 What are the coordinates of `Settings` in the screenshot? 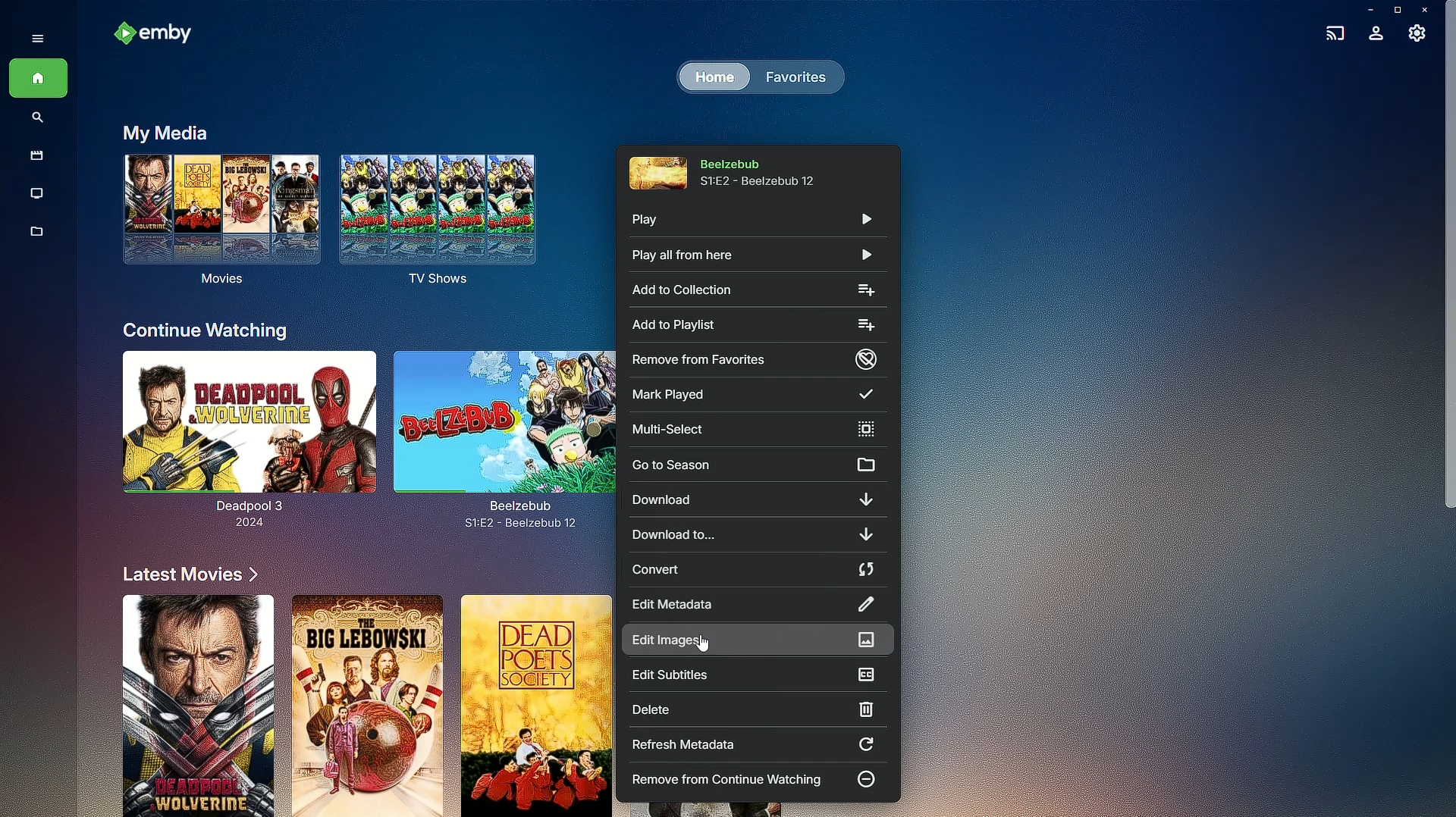 It's located at (1418, 37).